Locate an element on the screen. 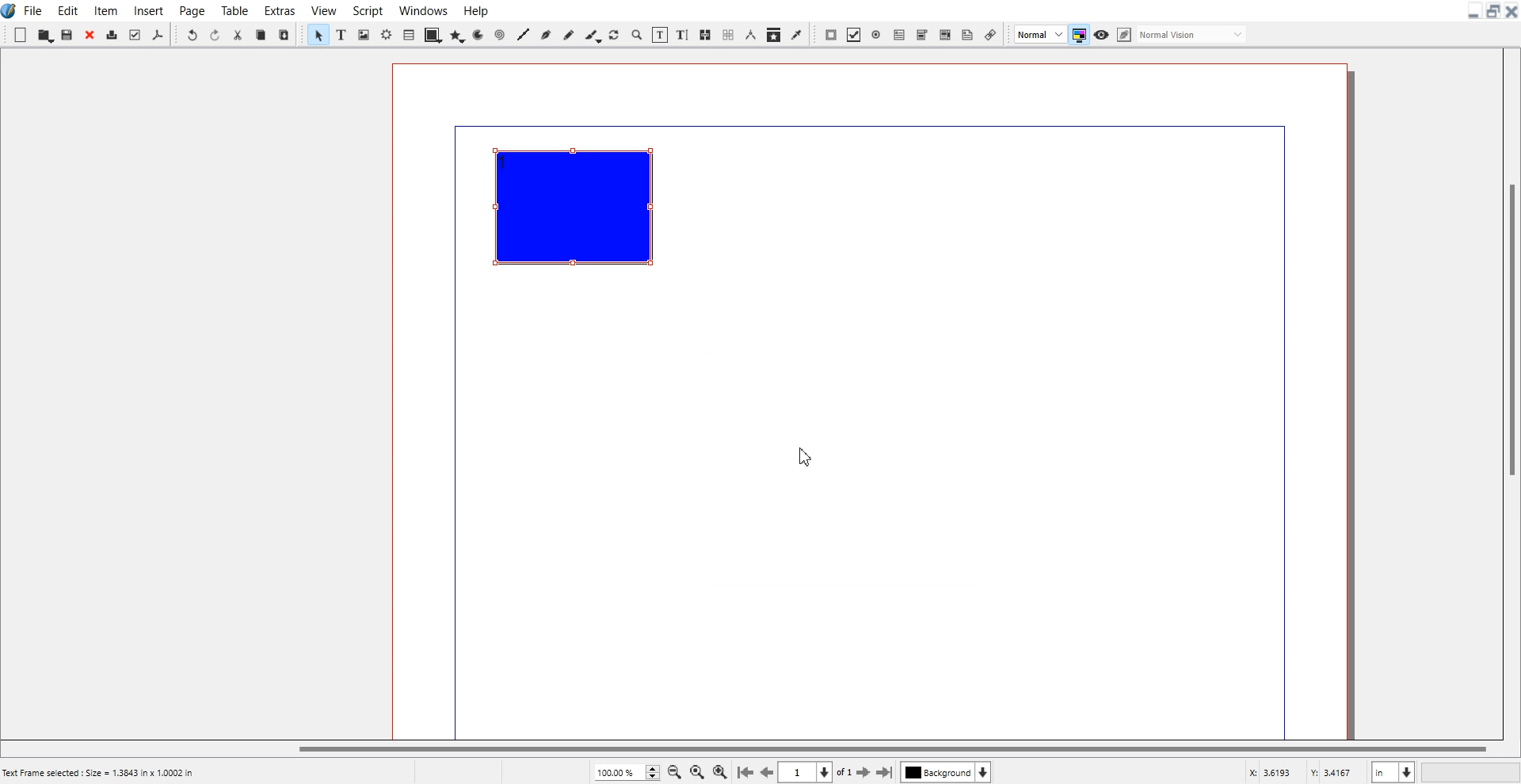 This screenshot has height=784, width=1521. Undo is located at coordinates (191, 33).